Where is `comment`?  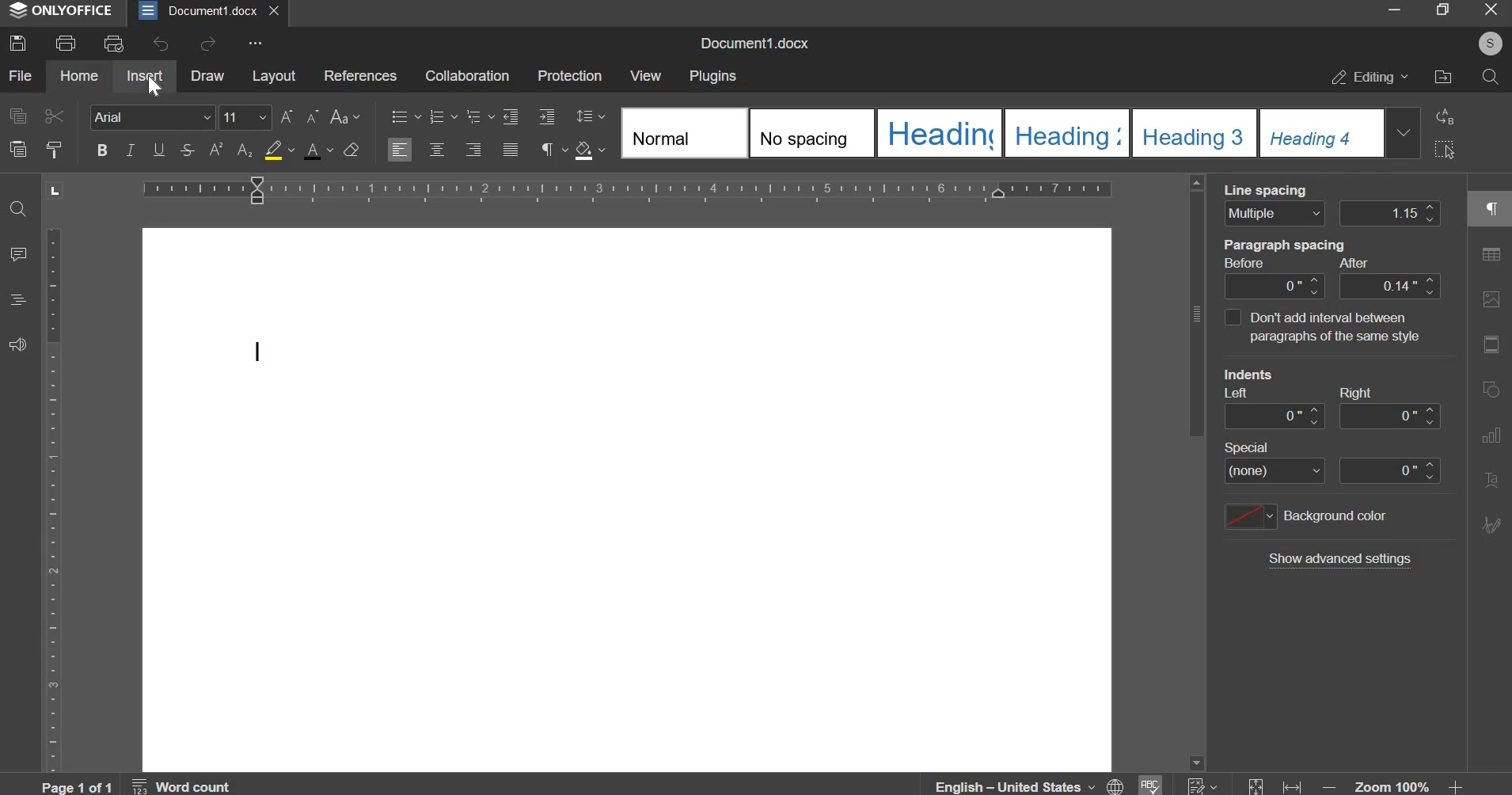
comment is located at coordinates (19, 253).